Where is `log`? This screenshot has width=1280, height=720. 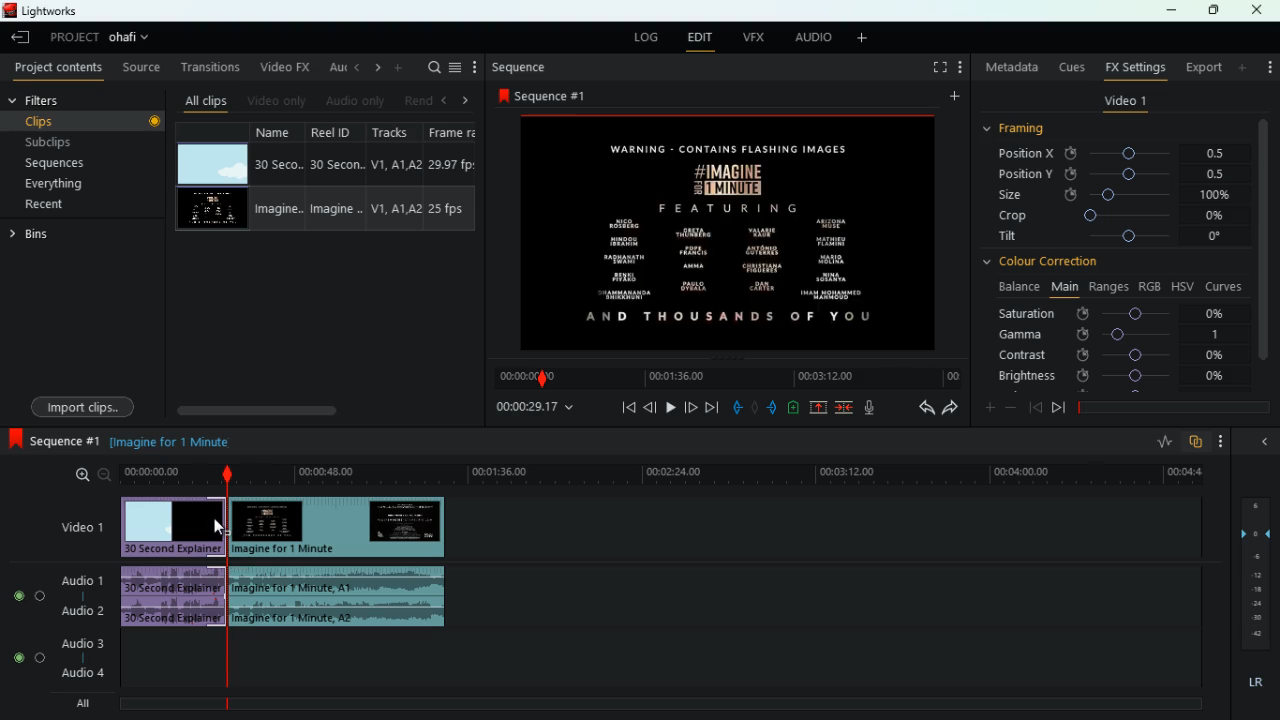 log is located at coordinates (646, 39).